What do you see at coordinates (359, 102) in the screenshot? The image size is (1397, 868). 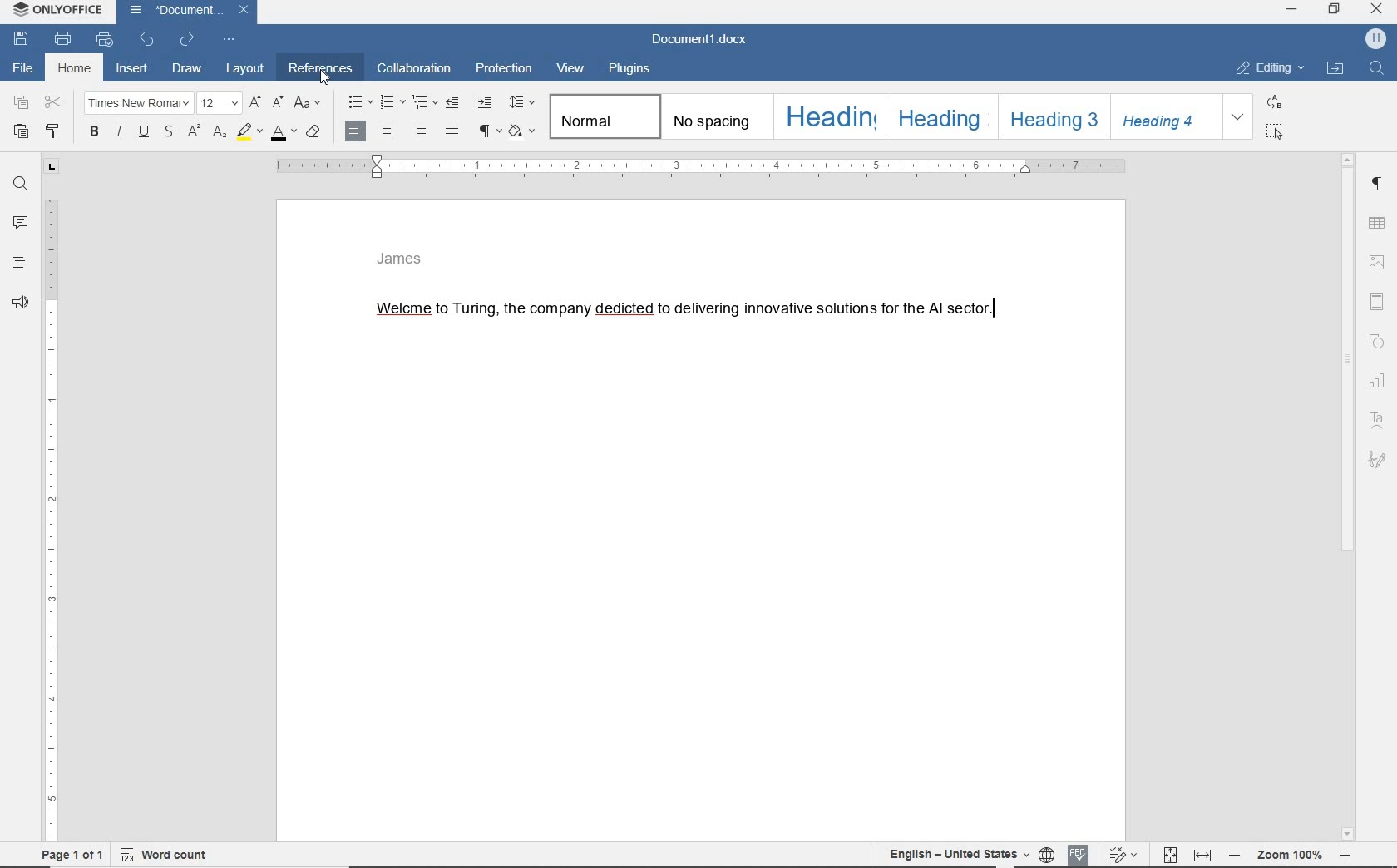 I see `bullets` at bounding box center [359, 102].